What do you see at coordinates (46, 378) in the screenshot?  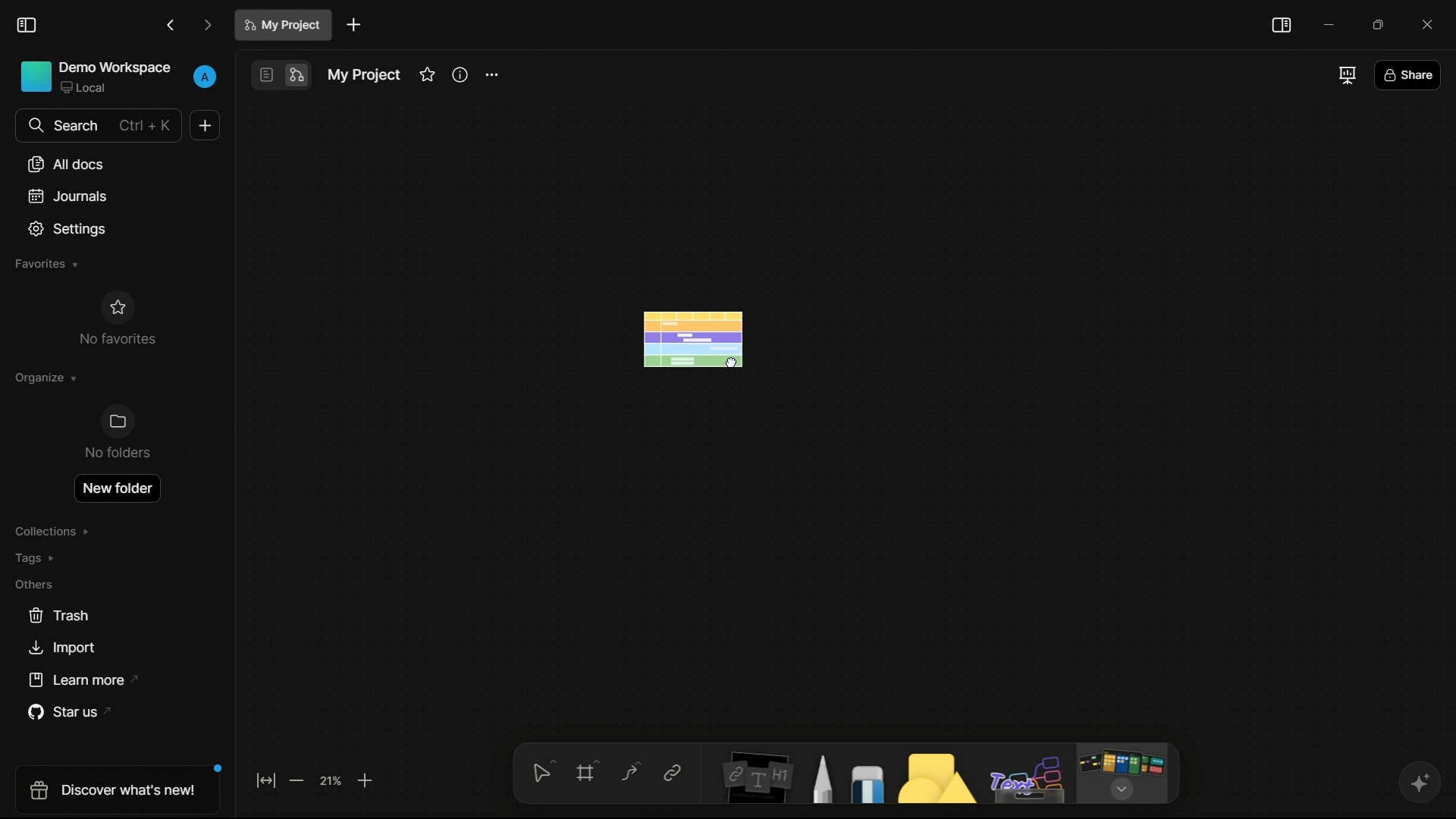 I see `organize` at bounding box center [46, 378].